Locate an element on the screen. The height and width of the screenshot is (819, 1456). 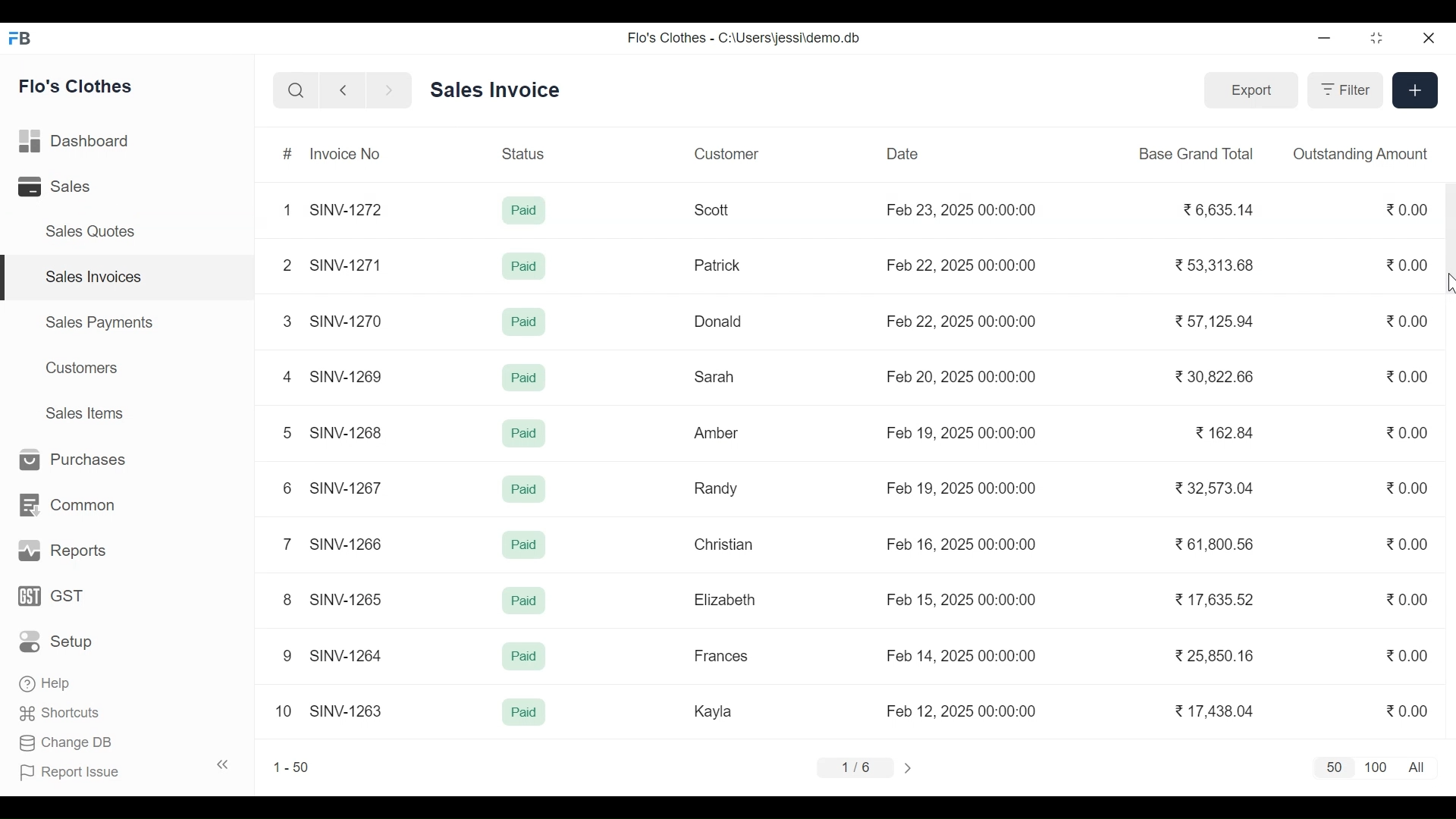
Scott is located at coordinates (714, 210).